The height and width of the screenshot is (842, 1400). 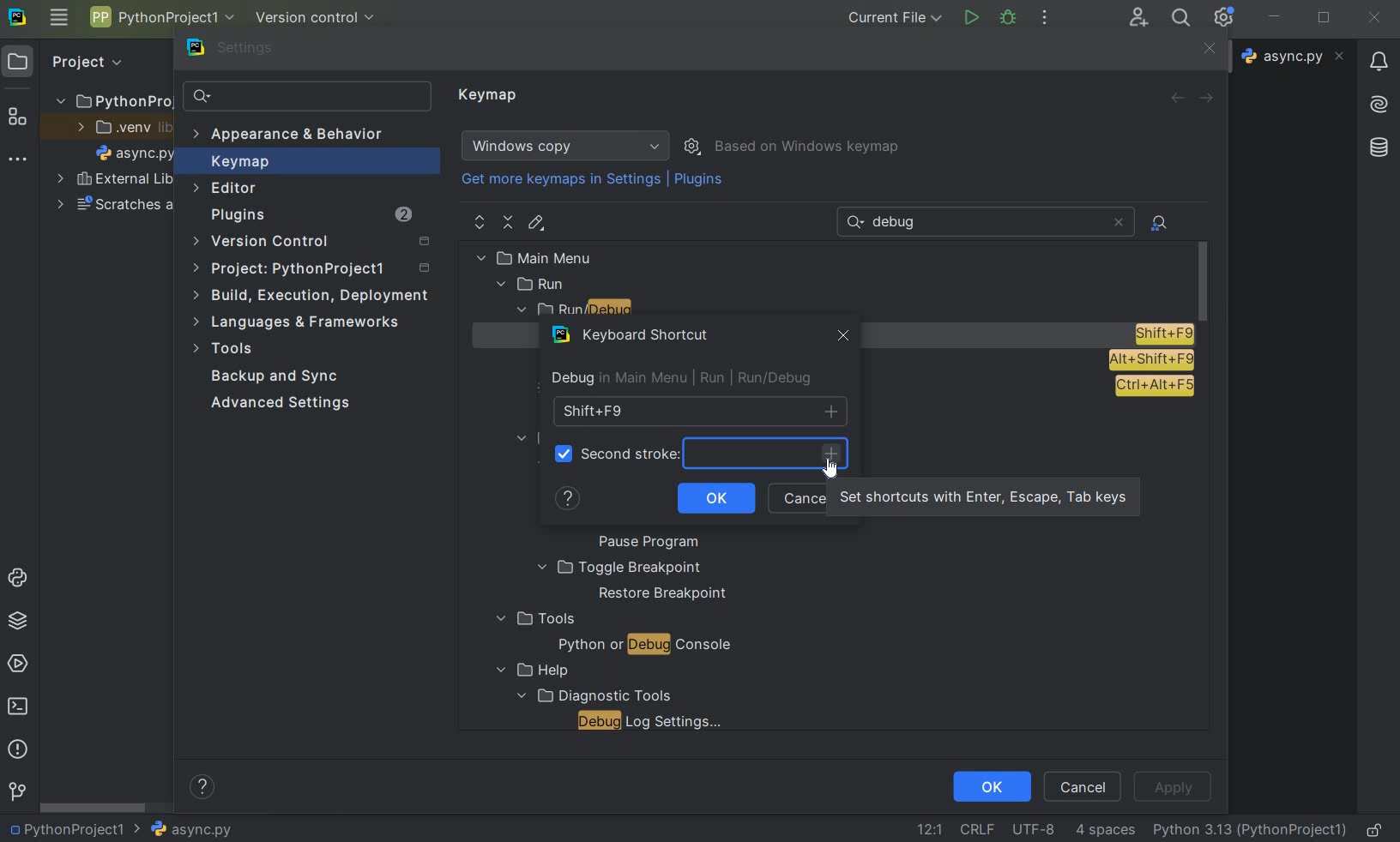 What do you see at coordinates (1009, 16) in the screenshot?
I see `debug` at bounding box center [1009, 16].